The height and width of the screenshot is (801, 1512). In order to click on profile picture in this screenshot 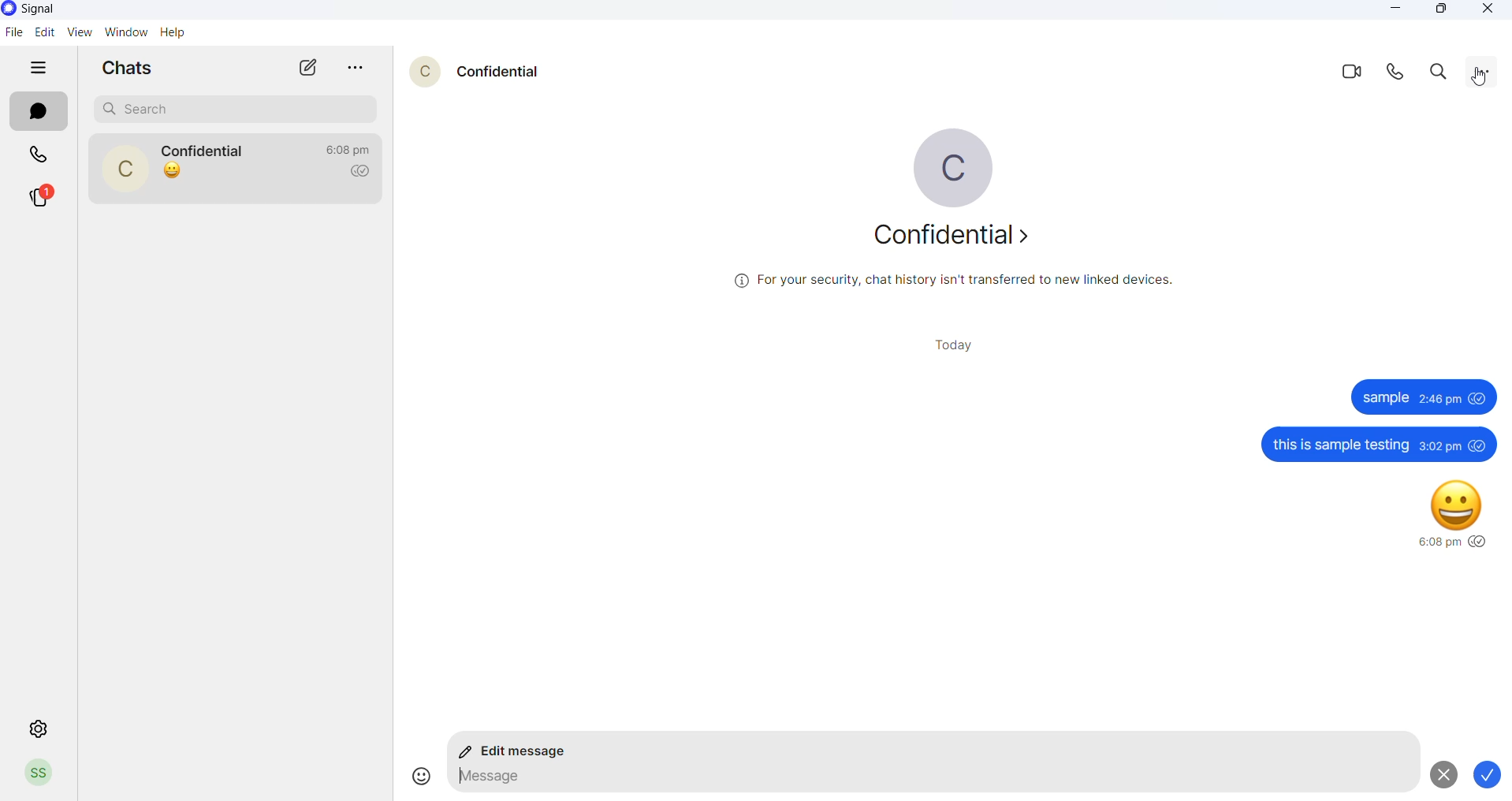, I will do `click(417, 69)`.